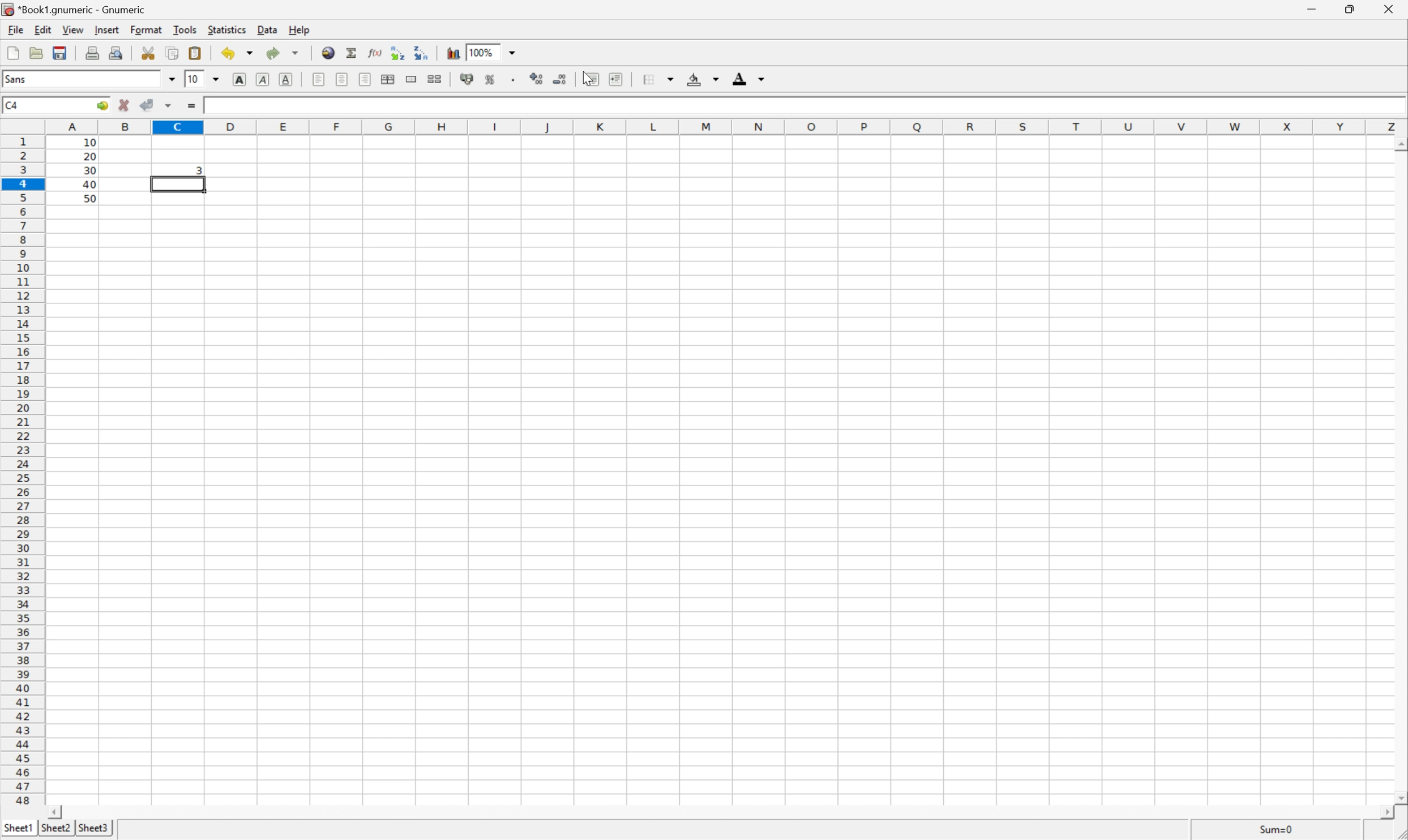 The height and width of the screenshot is (840, 1408). I want to click on Data, so click(268, 28).